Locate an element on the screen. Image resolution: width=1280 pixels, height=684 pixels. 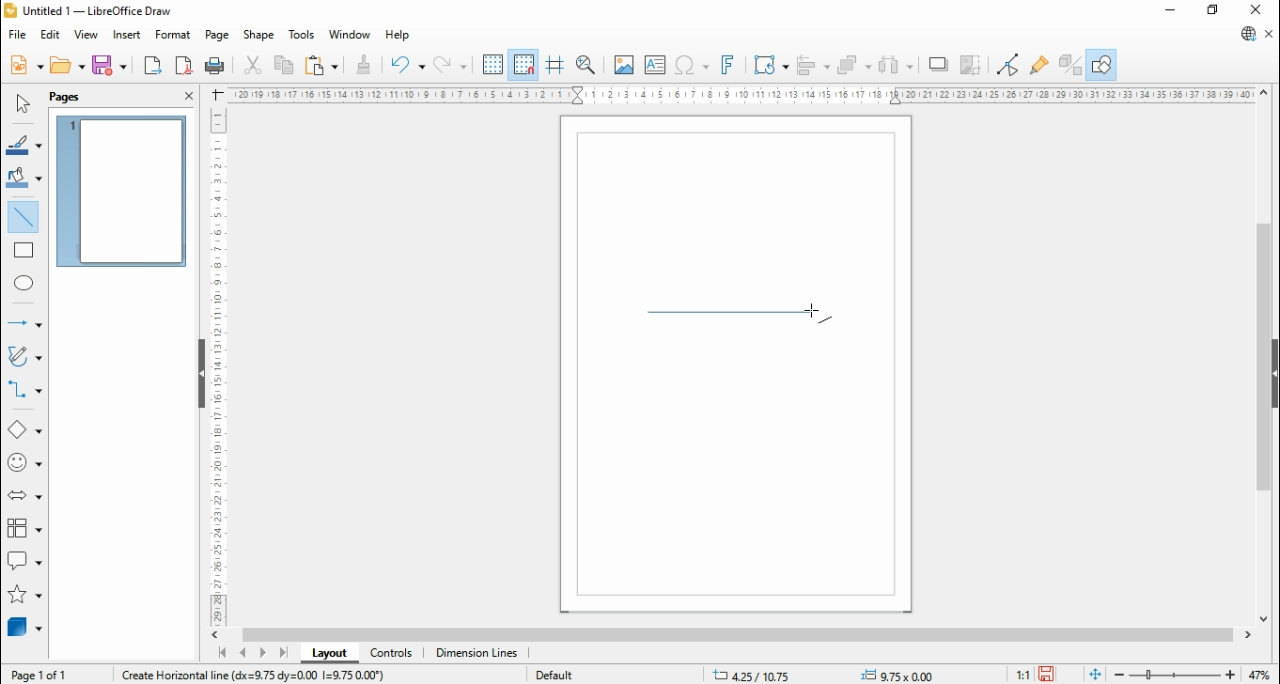
open is located at coordinates (69, 65).